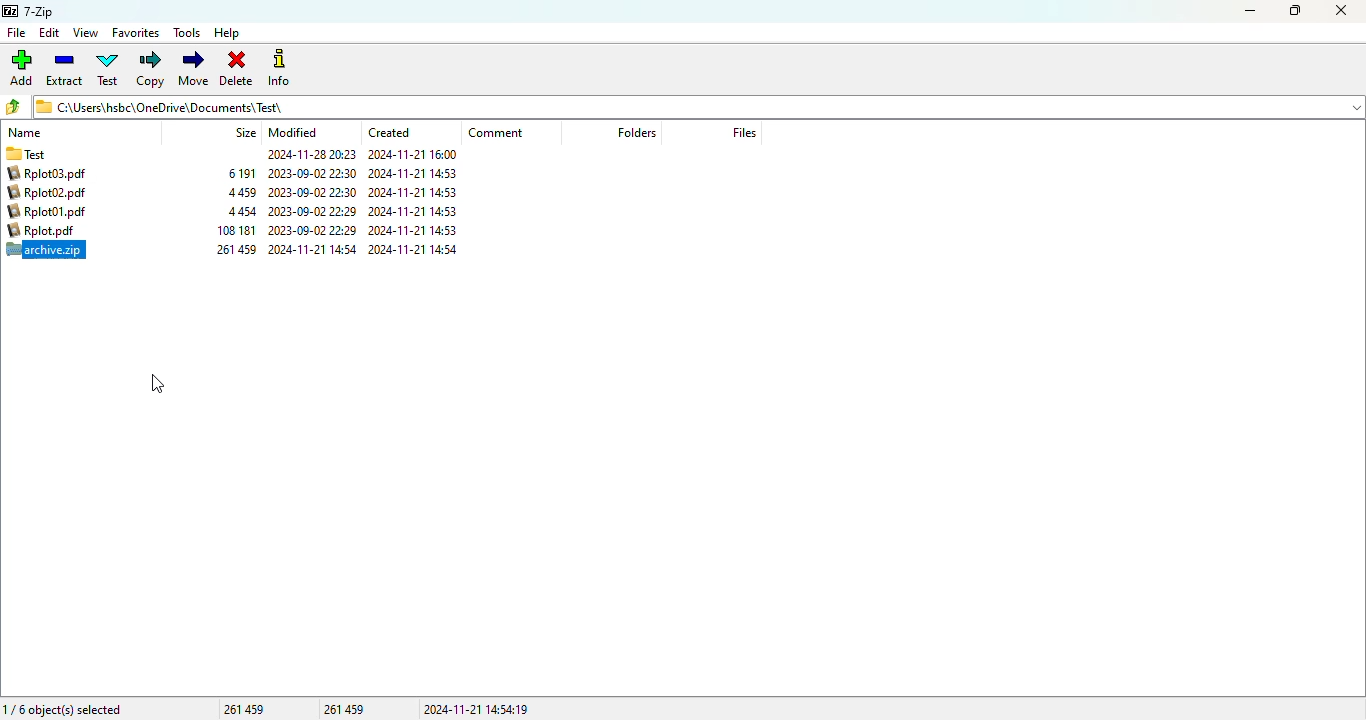 This screenshot has width=1366, height=720. Describe the element at coordinates (136, 33) in the screenshot. I see `favorites` at that location.